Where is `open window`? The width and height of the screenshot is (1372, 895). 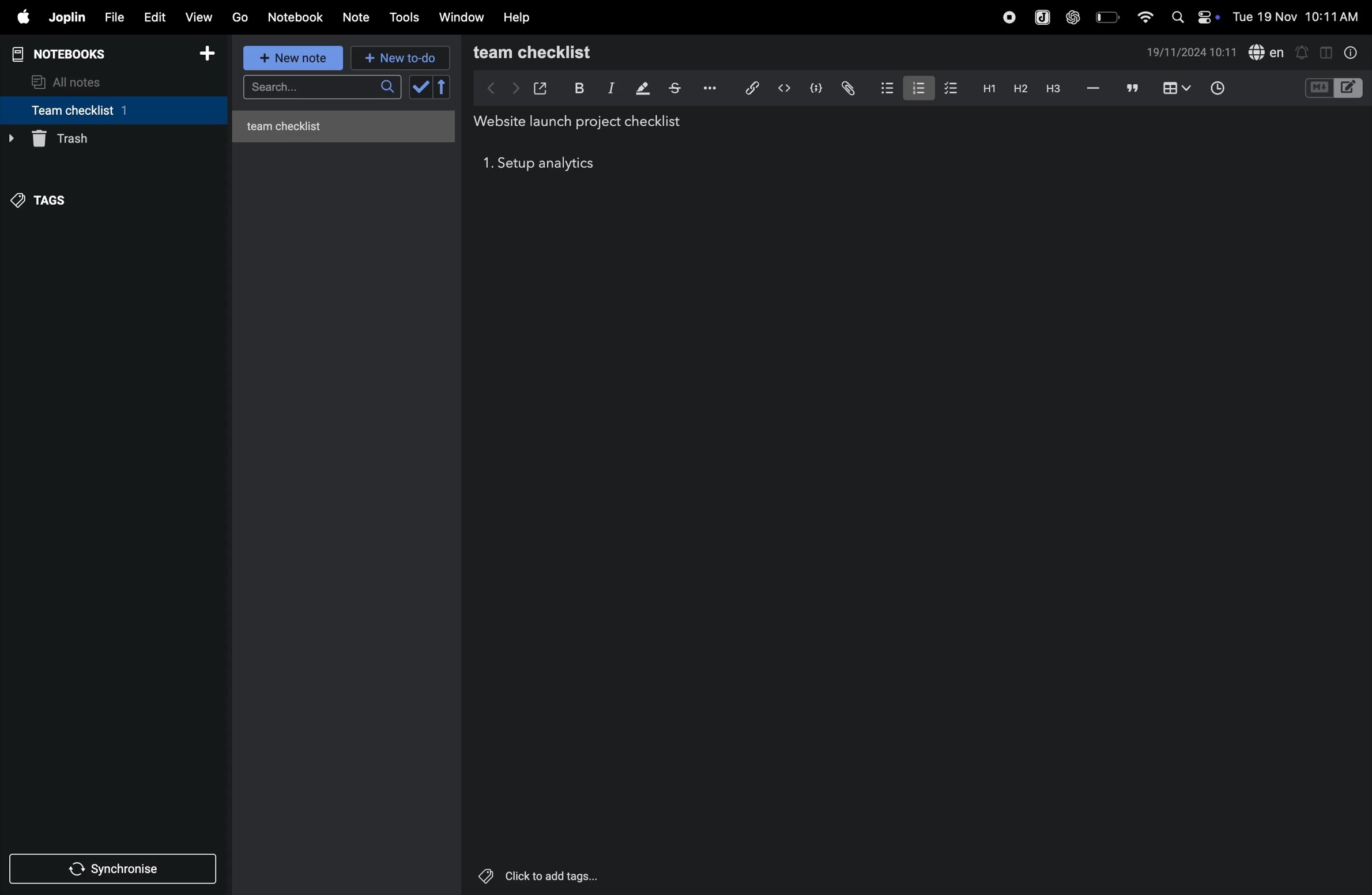 open window is located at coordinates (541, 86).